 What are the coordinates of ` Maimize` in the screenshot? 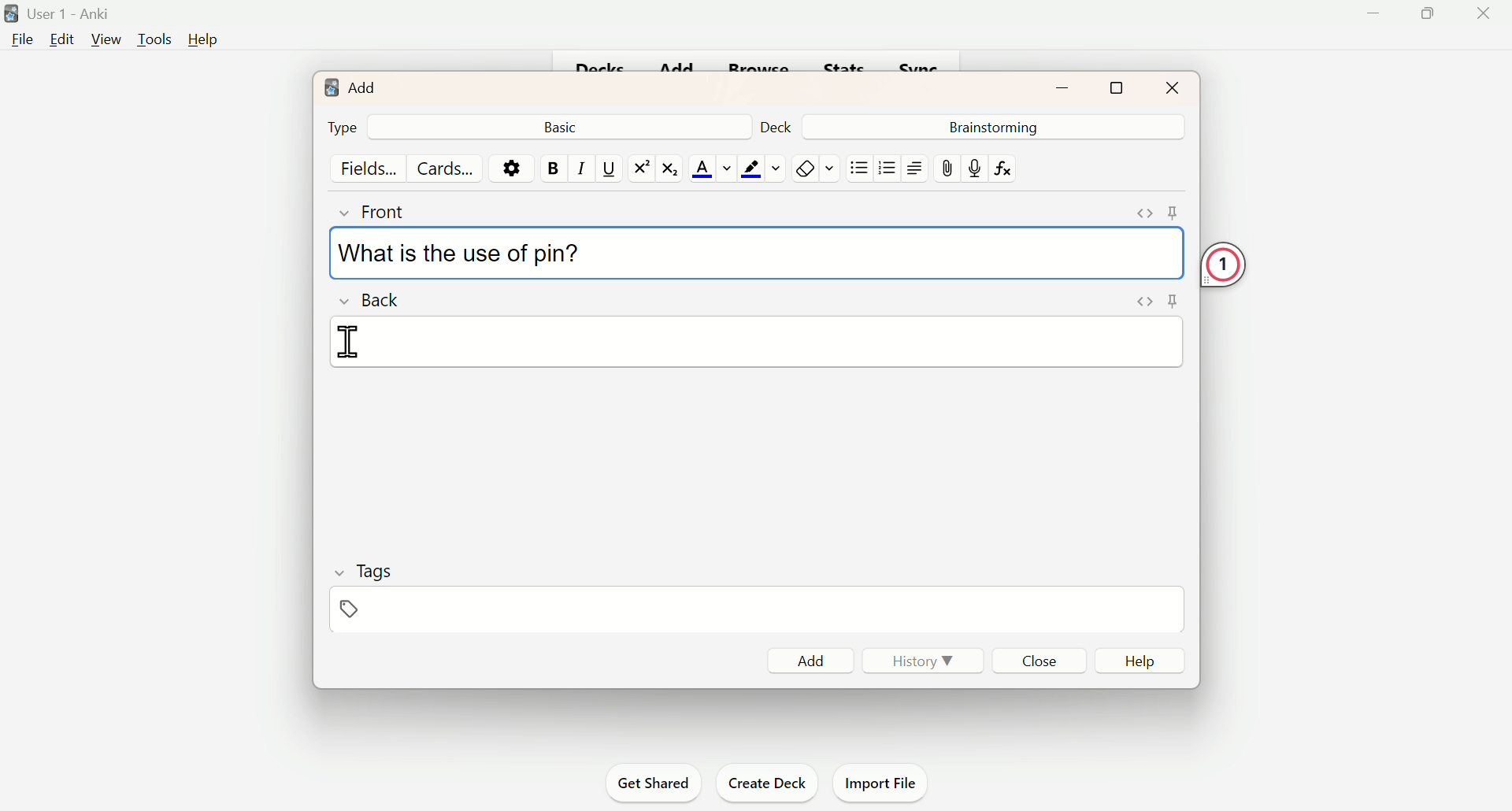 It's located at (1432, 17).